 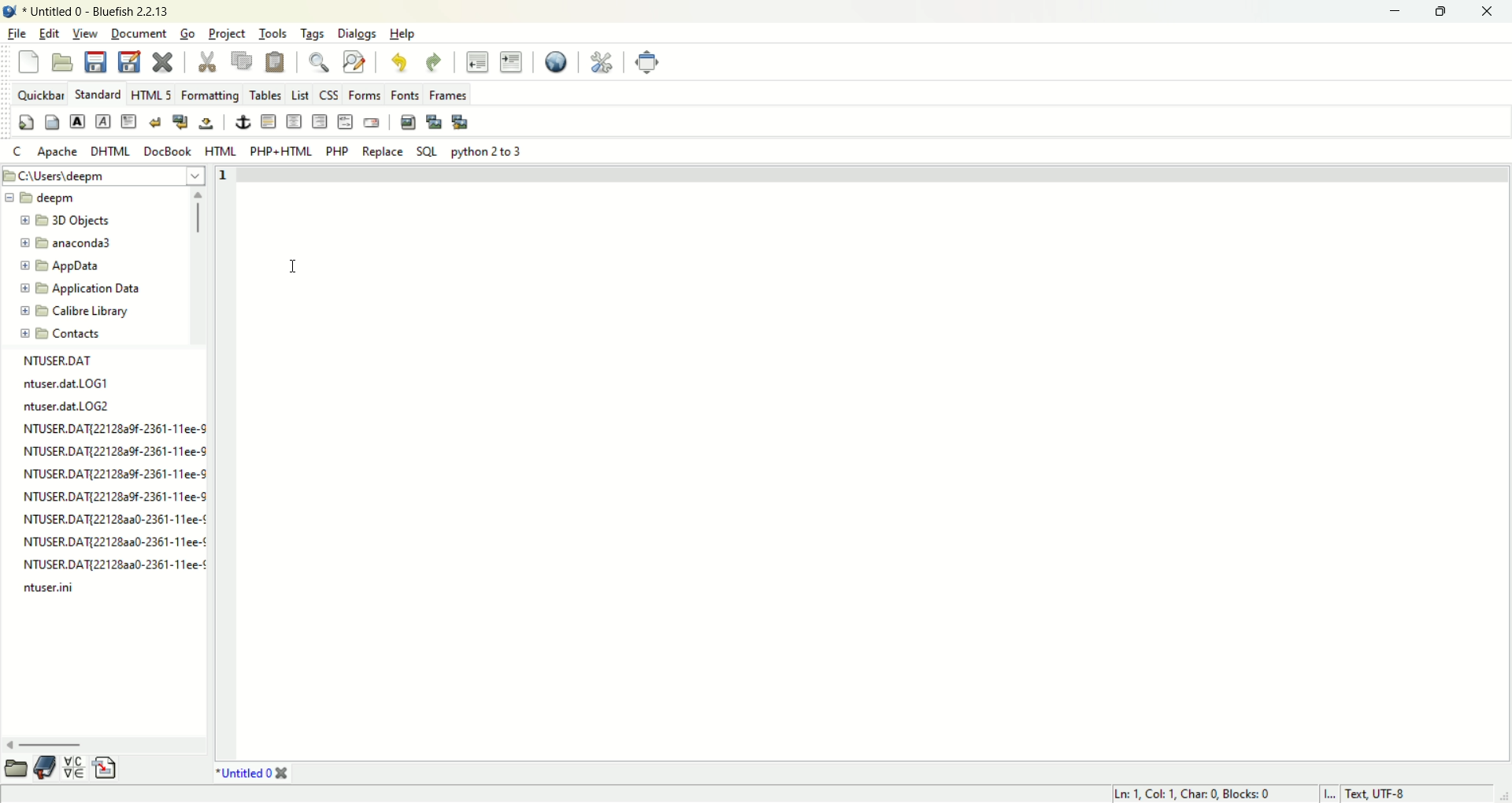 I want to click on close , so click(x=285, y=772).